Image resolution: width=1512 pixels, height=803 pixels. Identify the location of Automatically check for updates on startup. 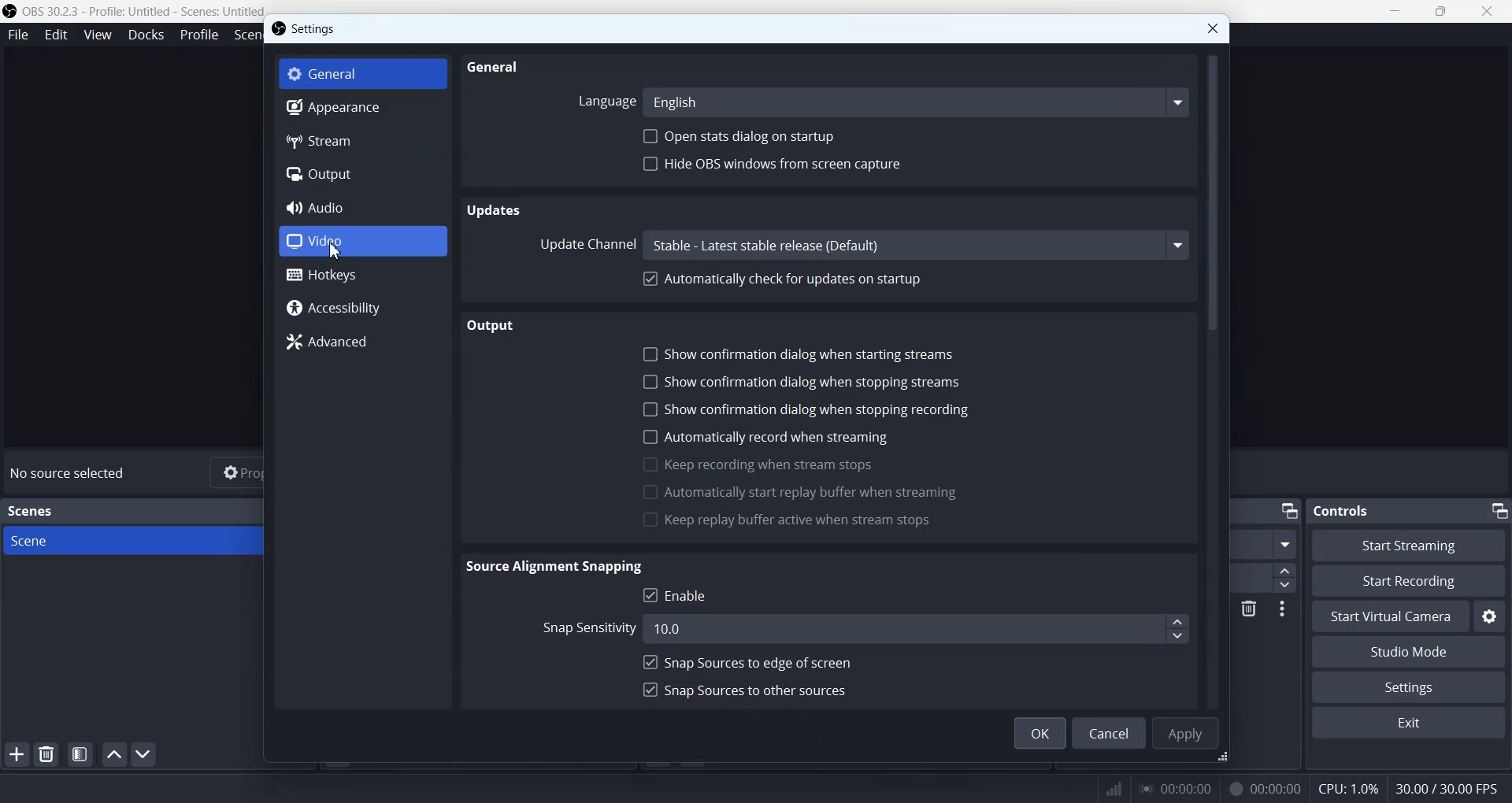
(781, 279).